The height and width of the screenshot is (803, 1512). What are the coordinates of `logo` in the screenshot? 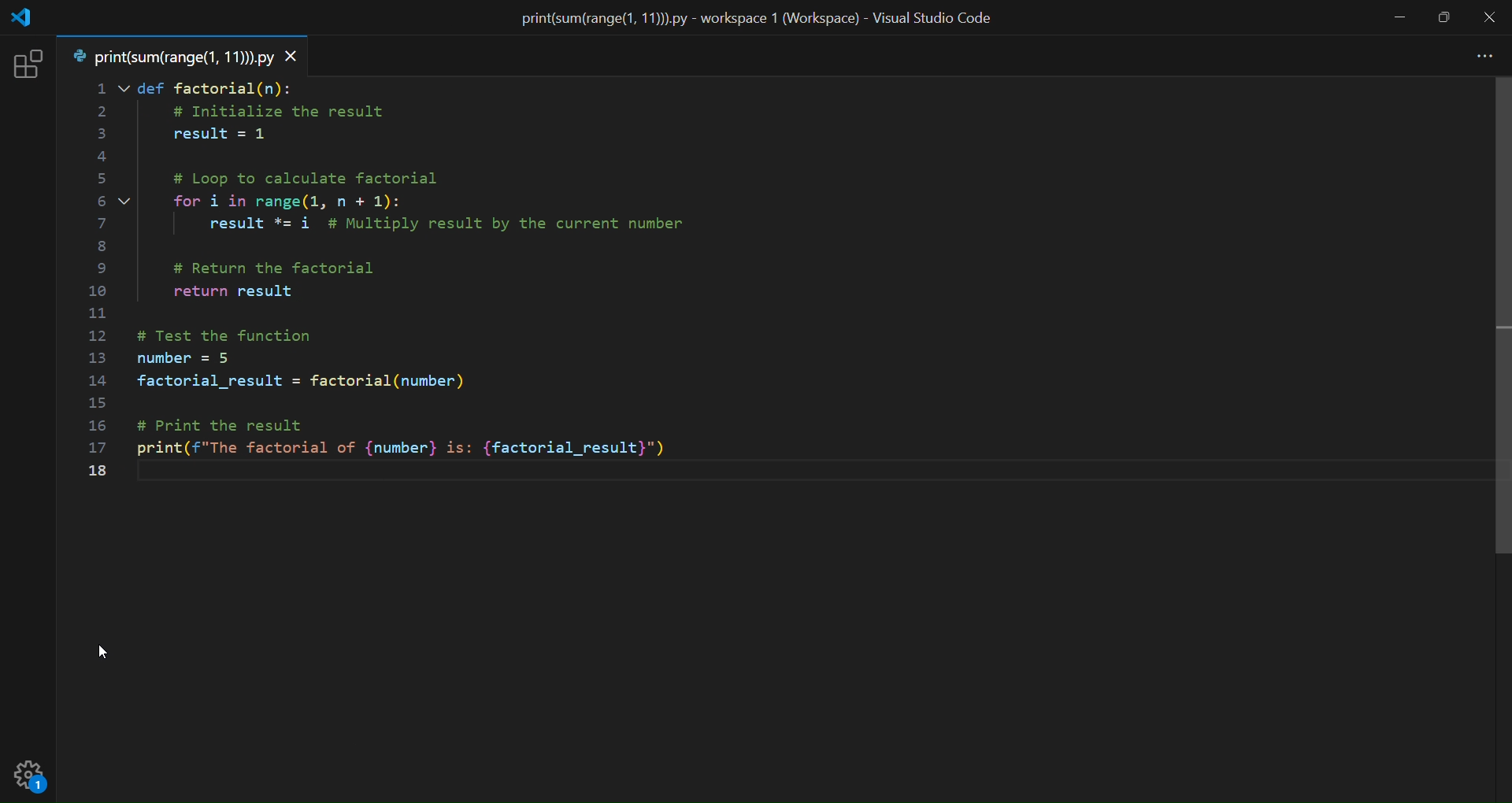 It's located at (23, 18).